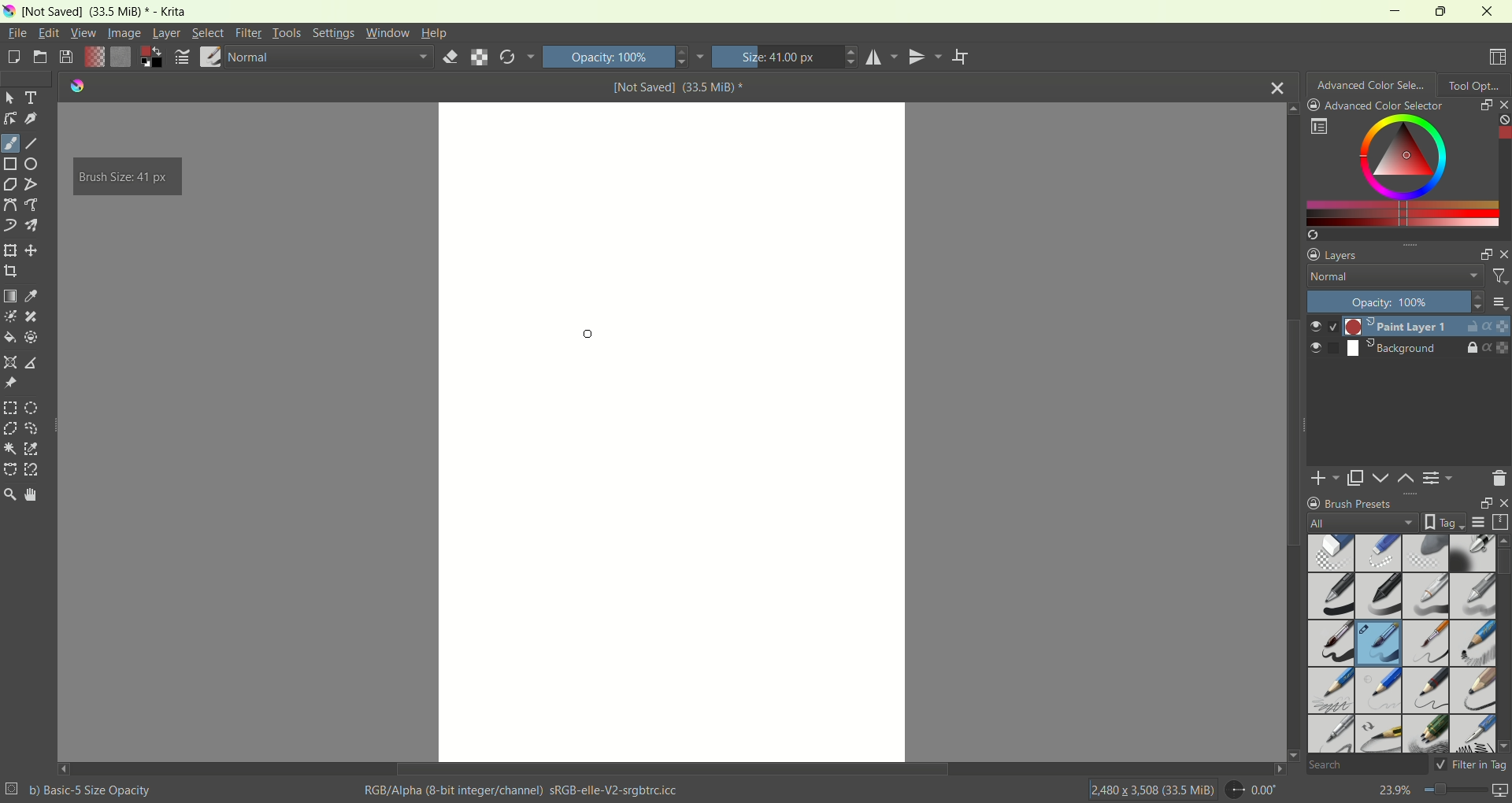  Describe the element at coordinates (9, 448) in the screenshot. I see `contagious selection tool` at that location.